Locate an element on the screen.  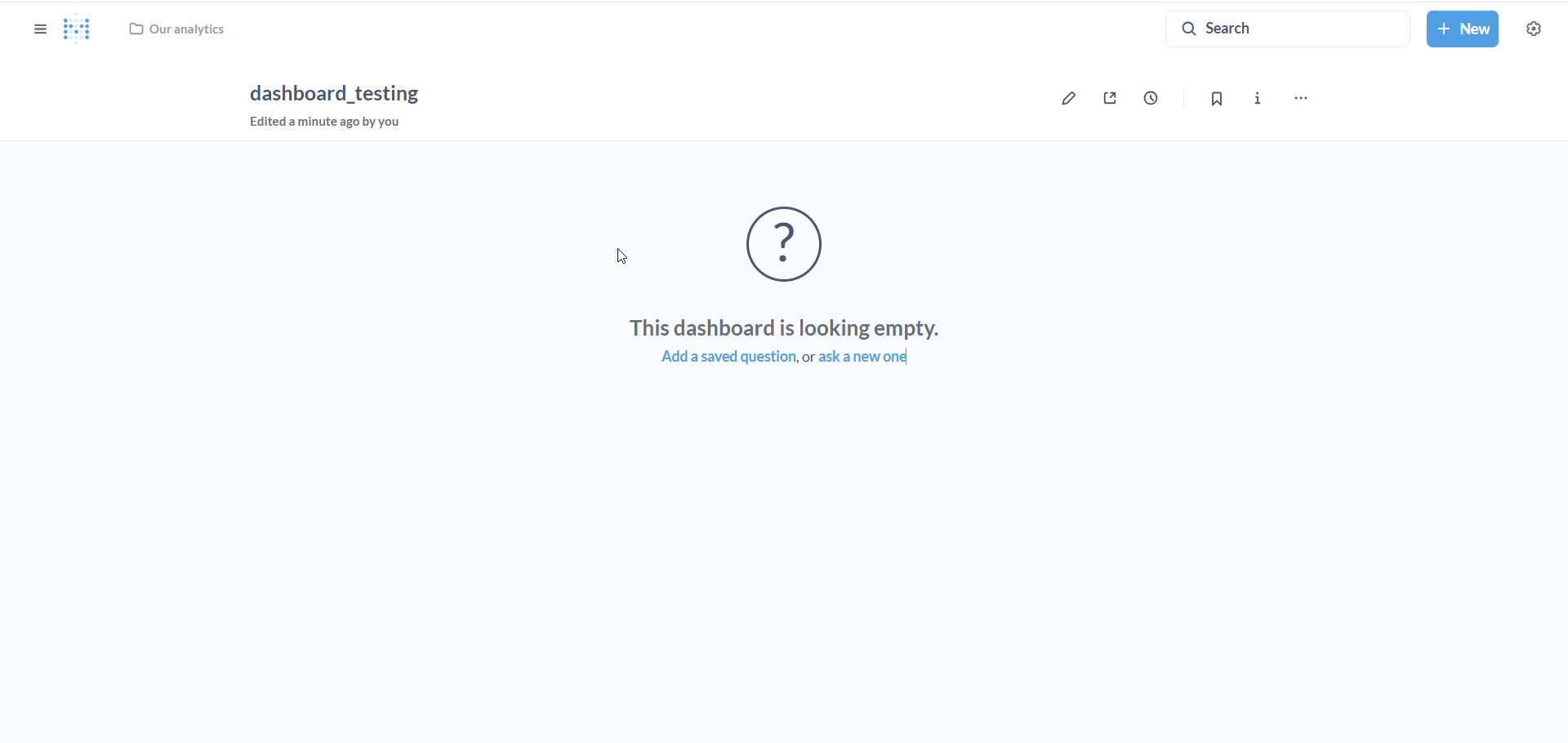
bookmark is located at coordinates (1223, 101).